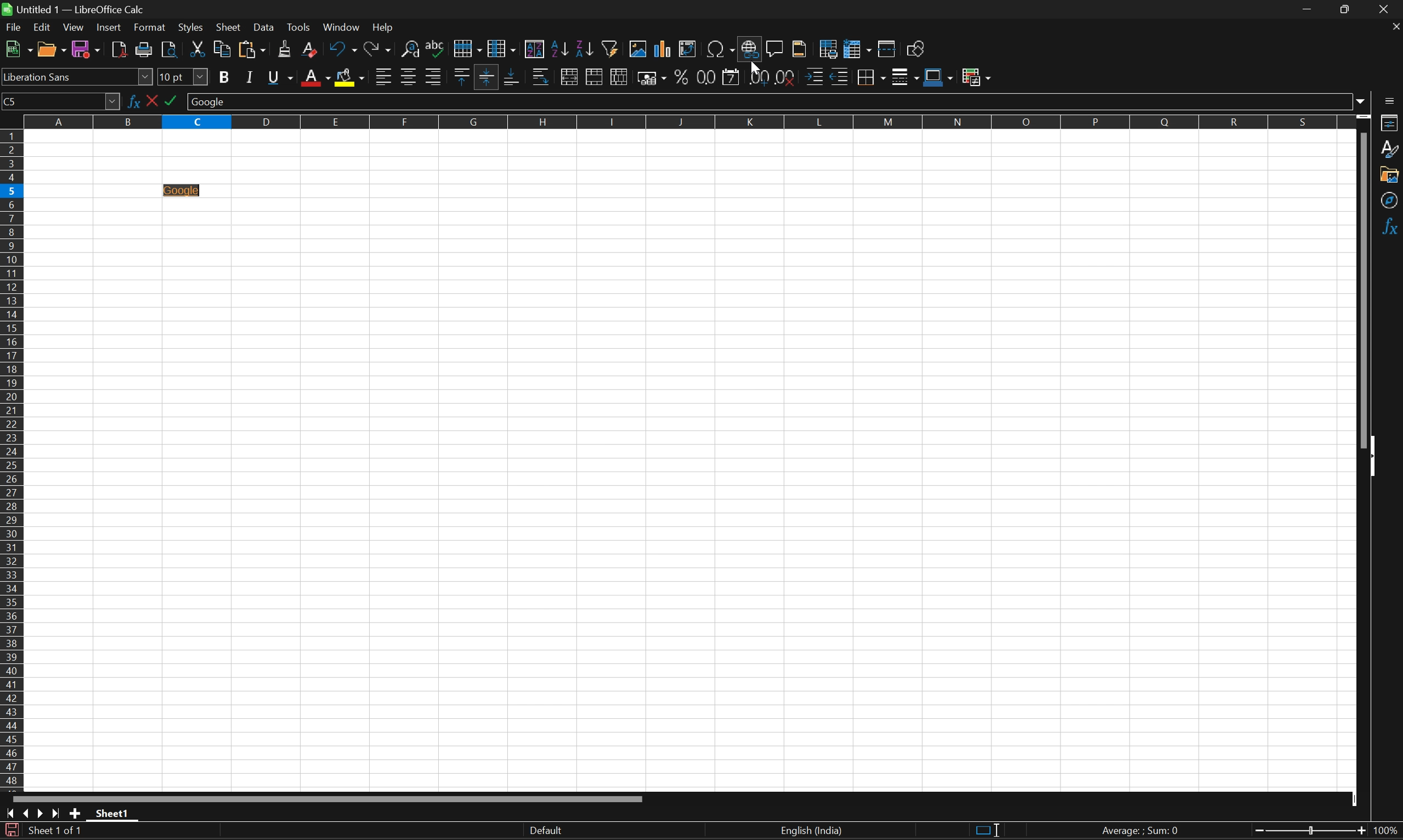 The image size is (1403, 840). I want to click on Font size, so click(184, 75).